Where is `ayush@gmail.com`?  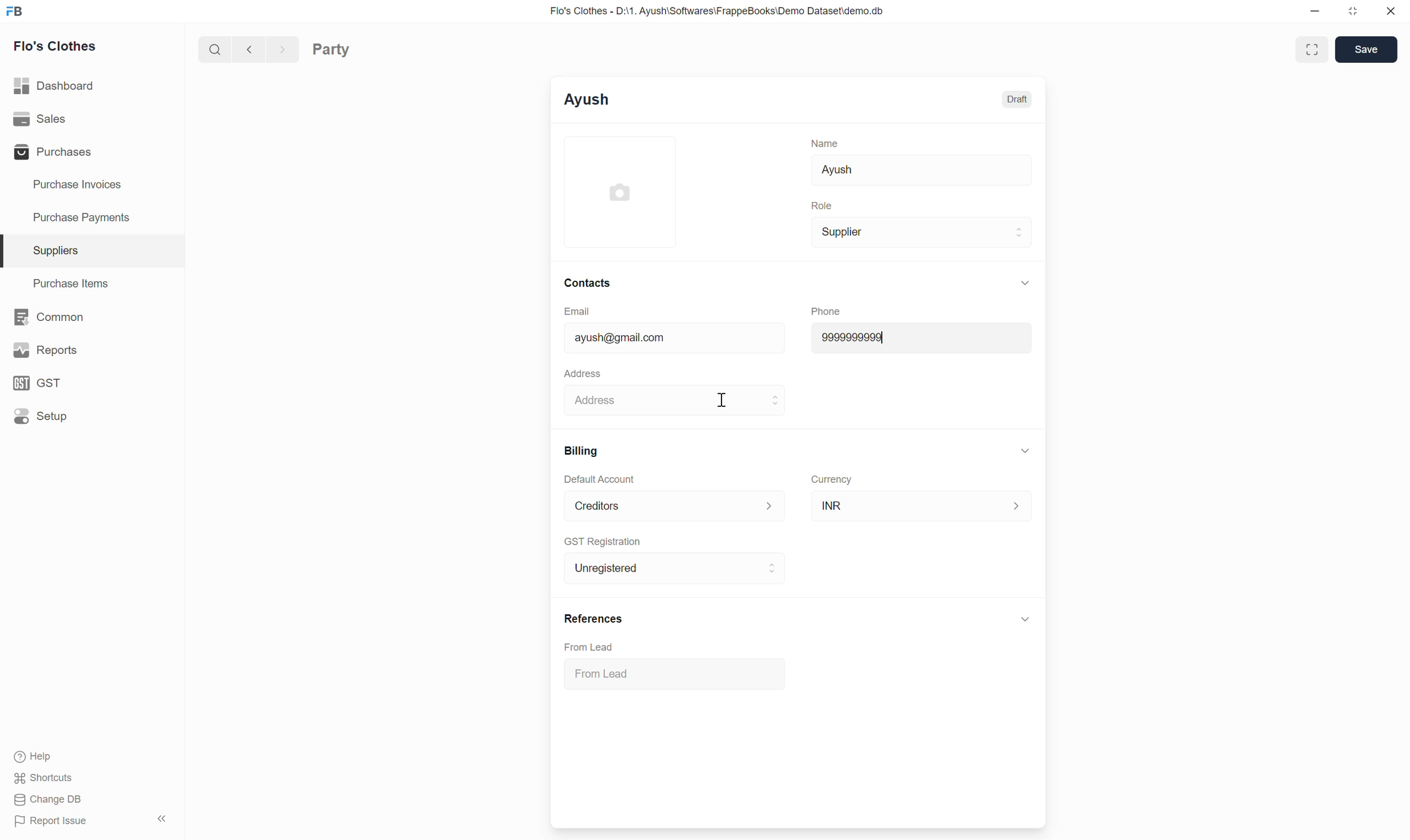 ayush@gmail.com is located at coordinates (674, 338).